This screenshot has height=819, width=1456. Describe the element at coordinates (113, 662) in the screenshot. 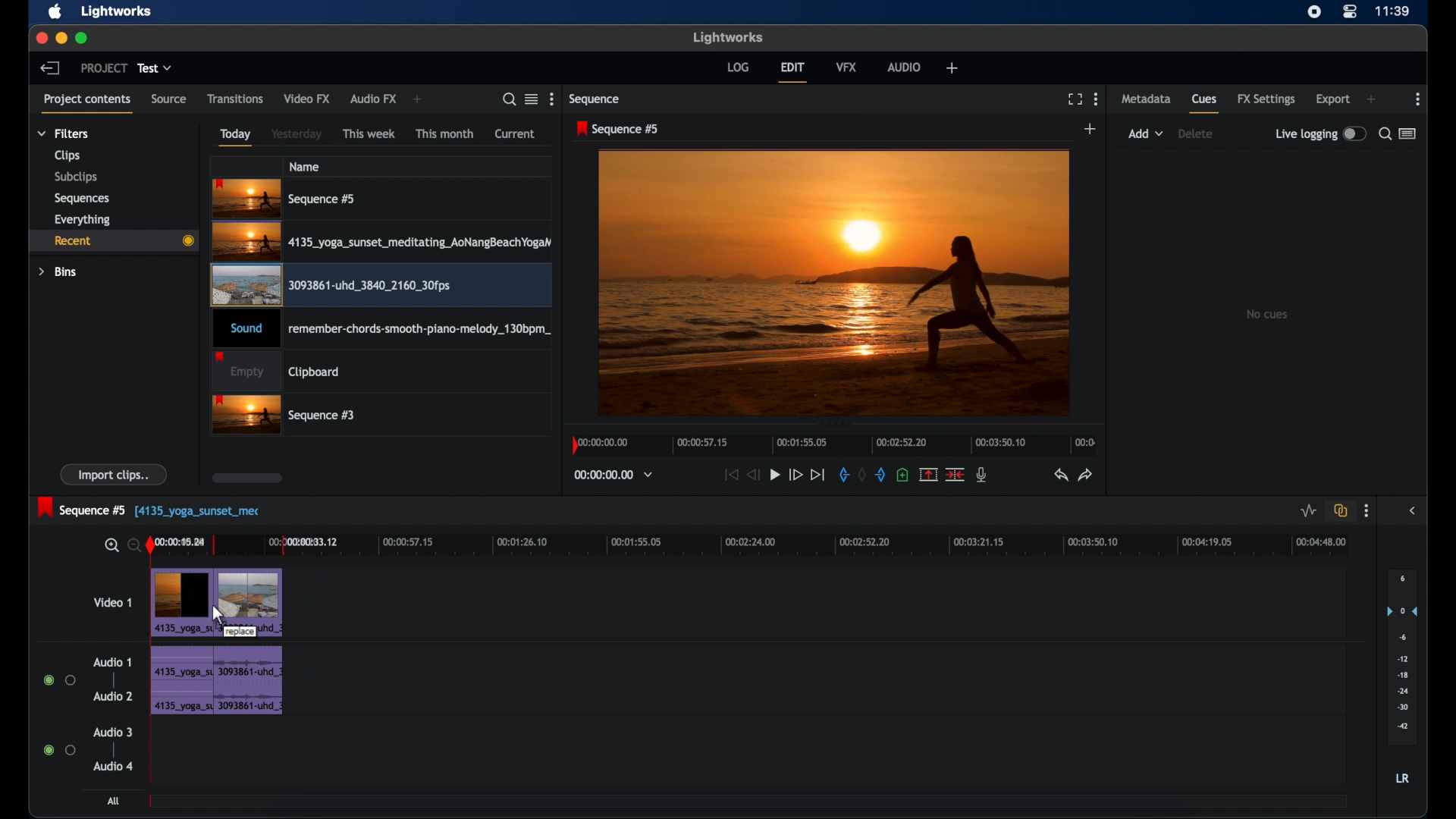

I see `audio 1` at that location.